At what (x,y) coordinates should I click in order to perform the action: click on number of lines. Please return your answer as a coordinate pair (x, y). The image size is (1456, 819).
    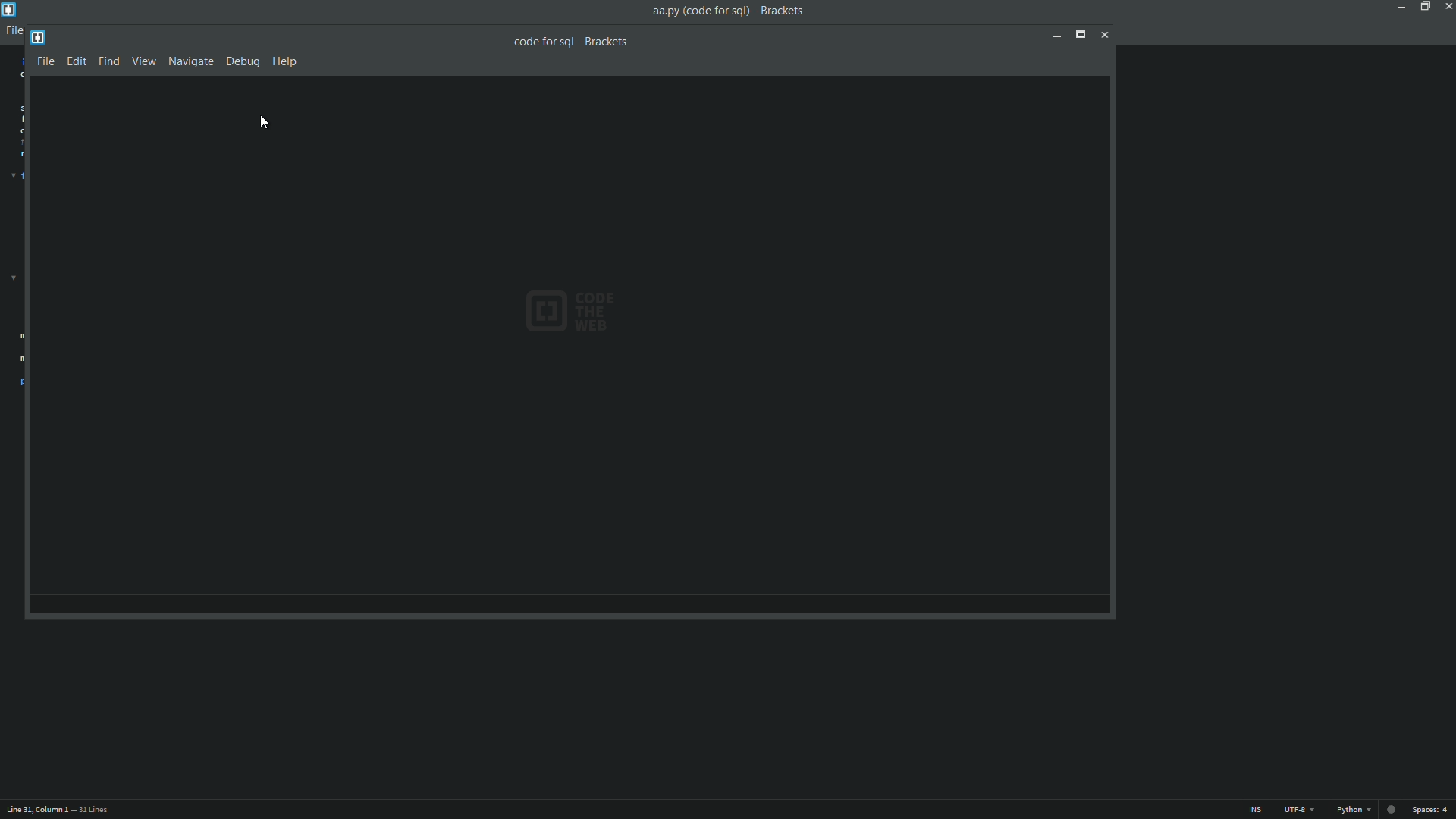
    Looking at the image, I should click on (92, 811).